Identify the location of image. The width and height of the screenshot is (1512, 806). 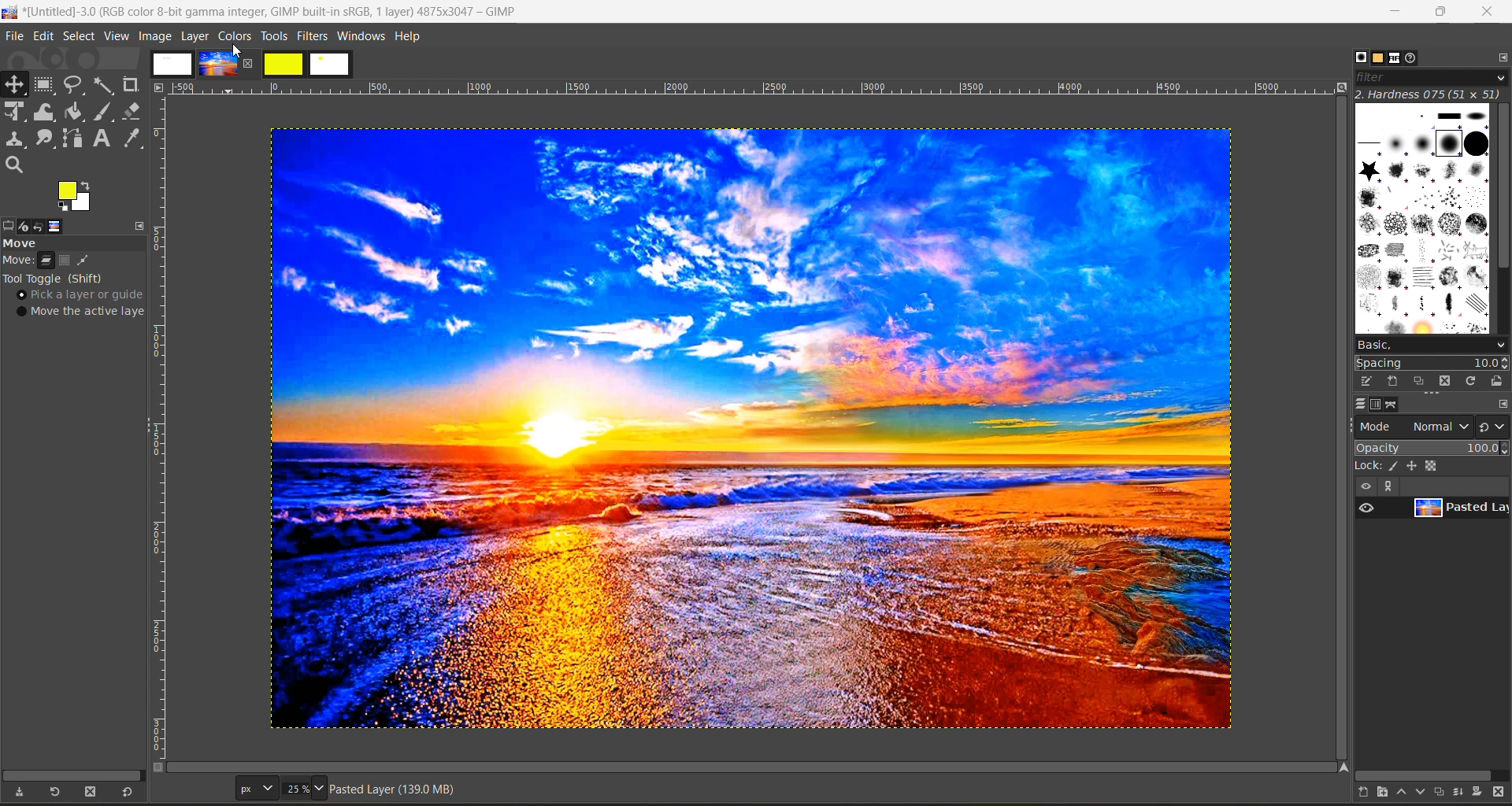
(754, 427).